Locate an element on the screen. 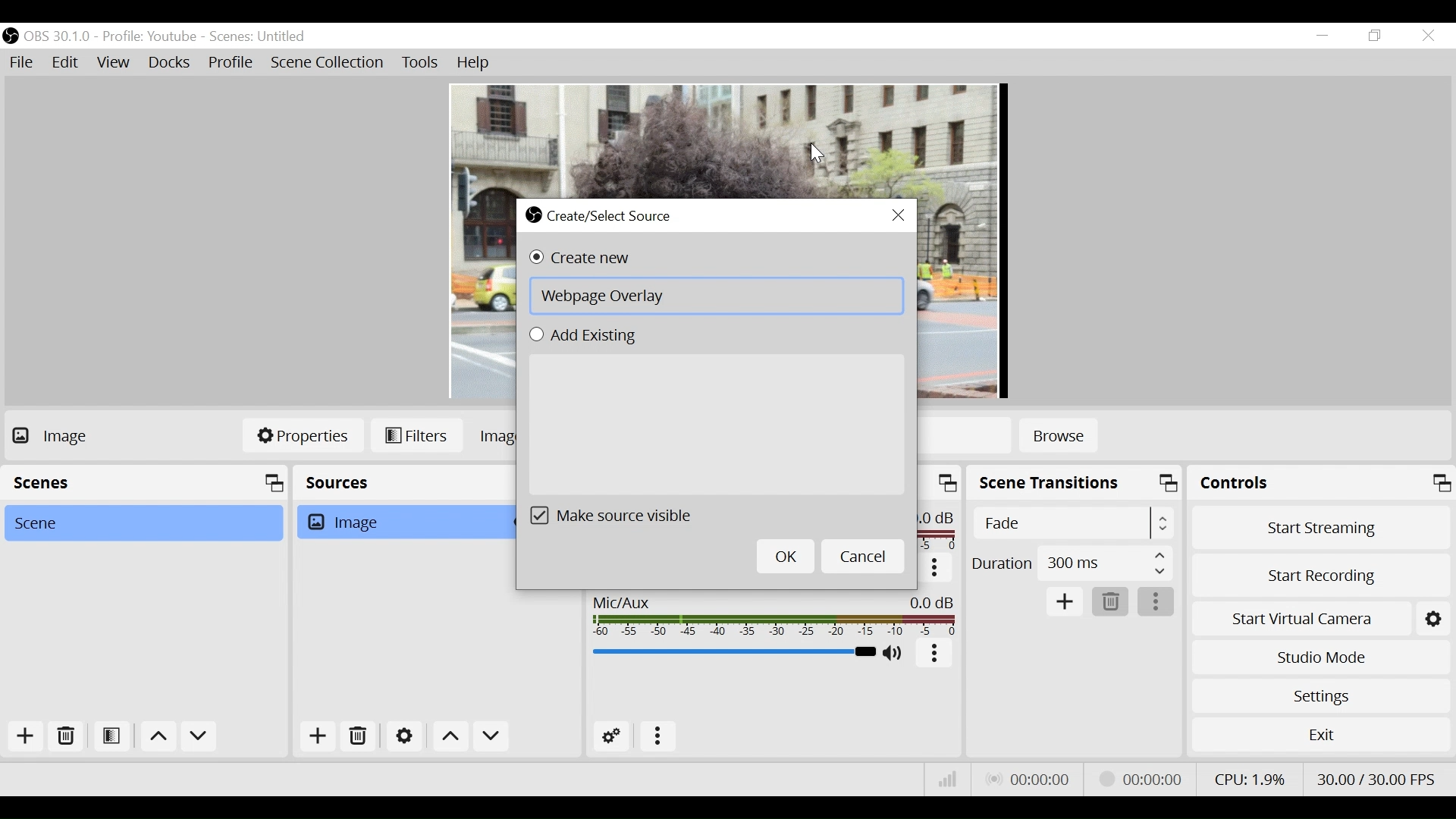 This screenshot has width=1456, height=819. (un)select Create new is located at coordinates (577, 257).